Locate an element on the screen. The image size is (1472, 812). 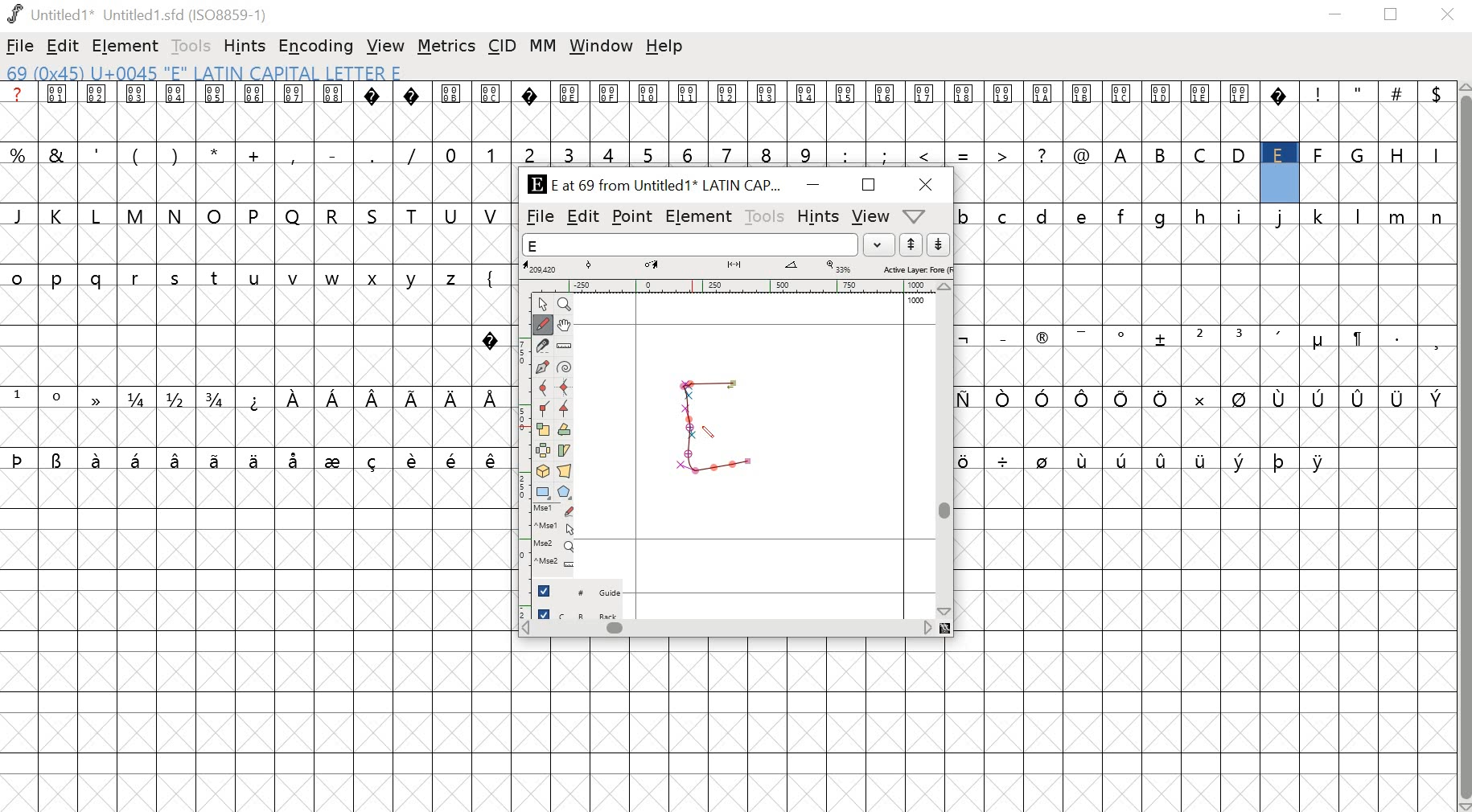
empty cells is located at coordinates (255, 429).